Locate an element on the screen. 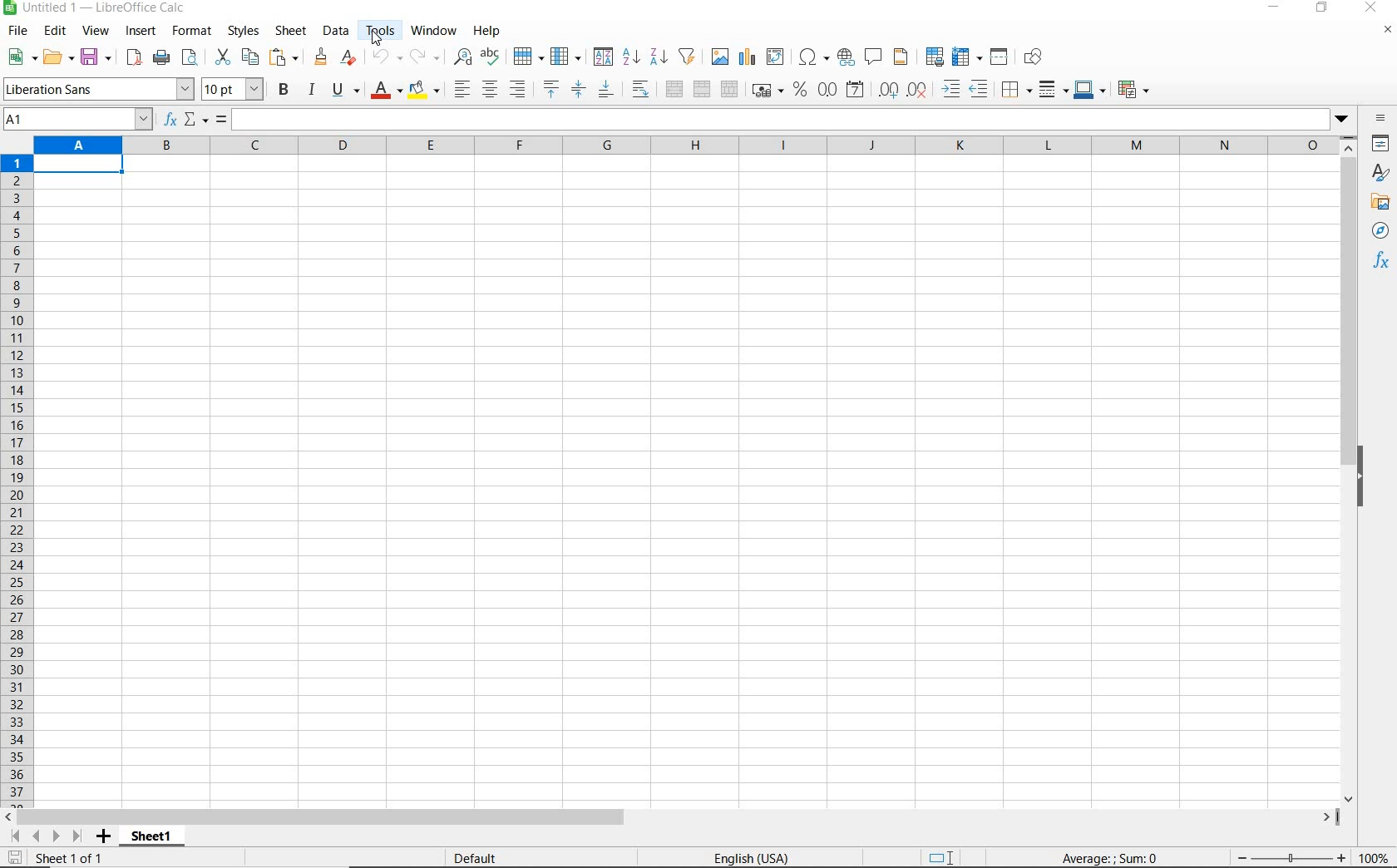 The height and width of the screenshot is (868, 1397). HIDE is located at coordinates (1360, 476).